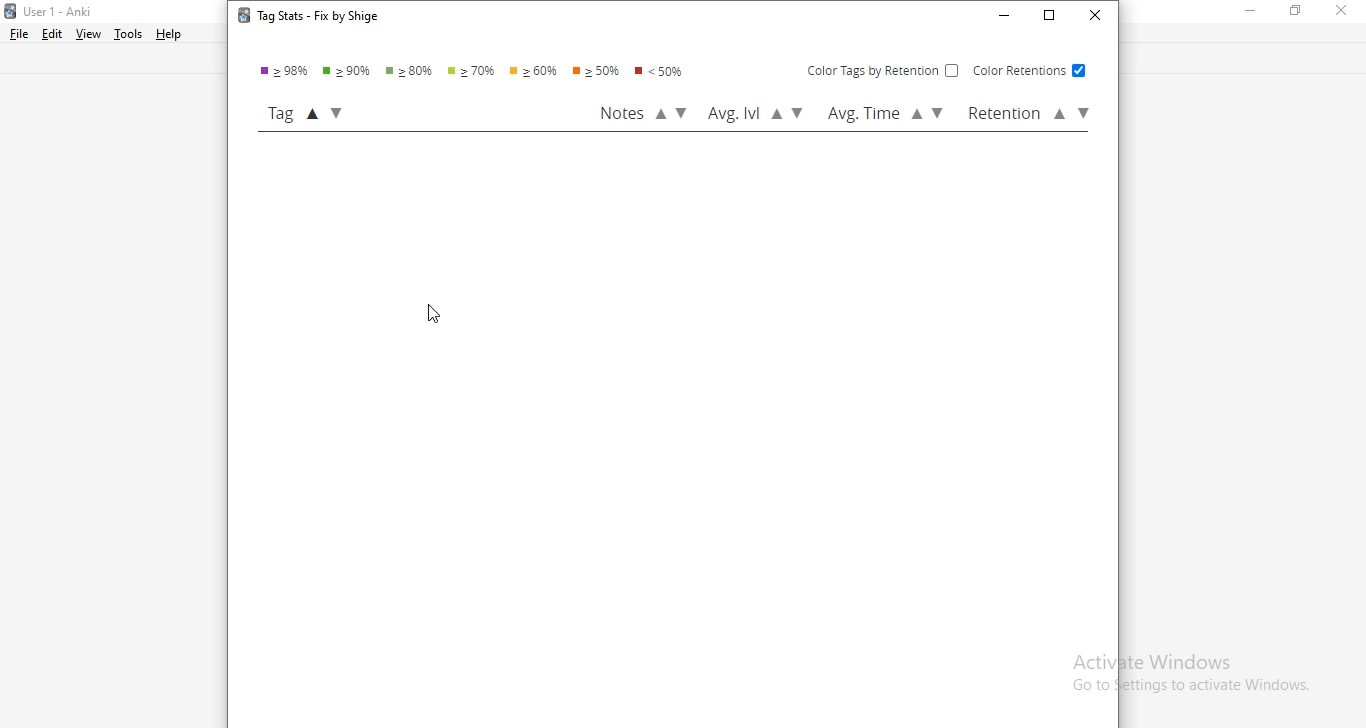 This screenshot has height=728, width=1366. What do you see at coordinates (128, 32) in the screenshot?
I see `tools` at bounding box center [128, 32].